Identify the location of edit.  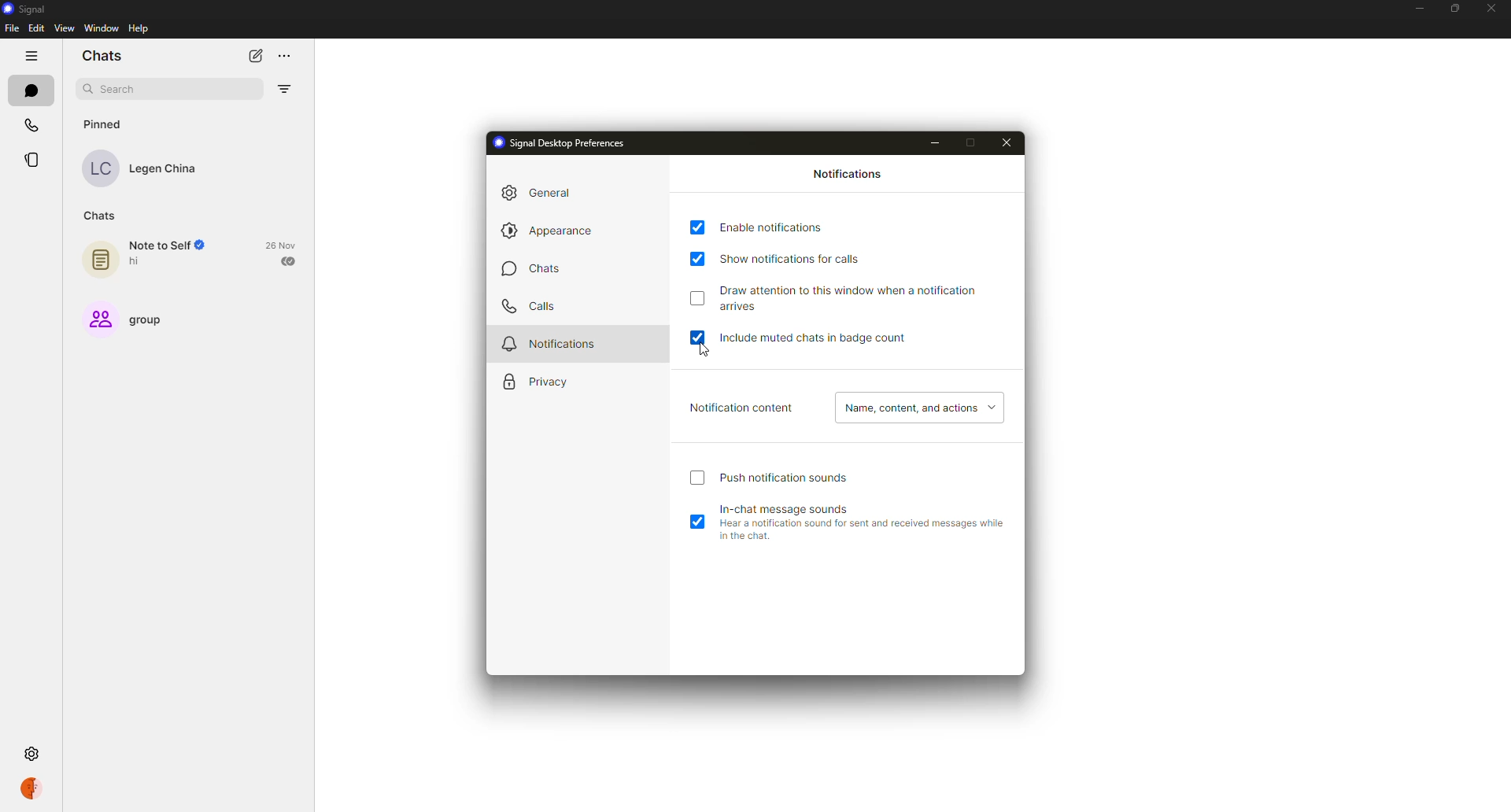
(35, 29).